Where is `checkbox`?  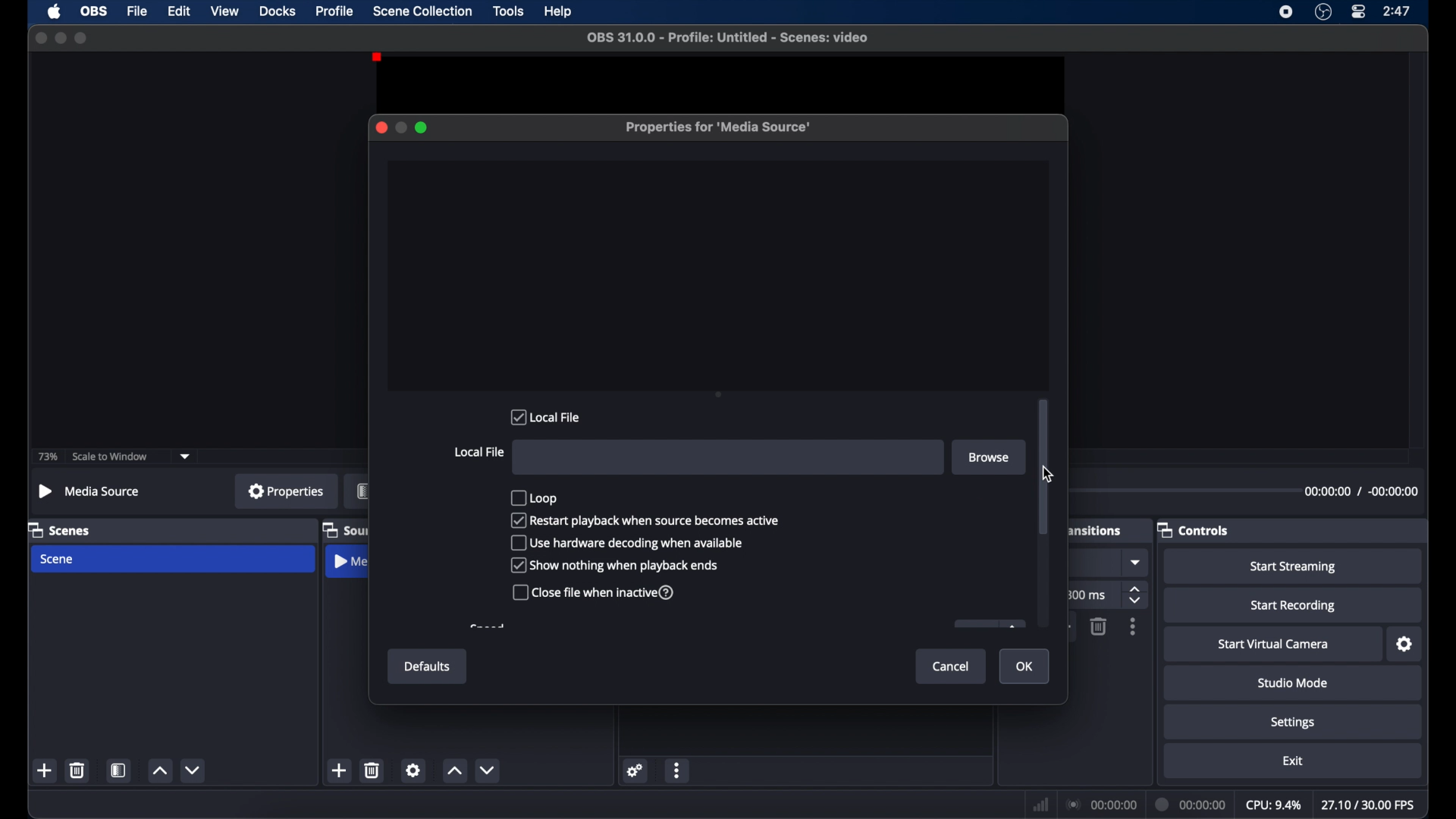
checkbox is located at coordinates (595, 593).